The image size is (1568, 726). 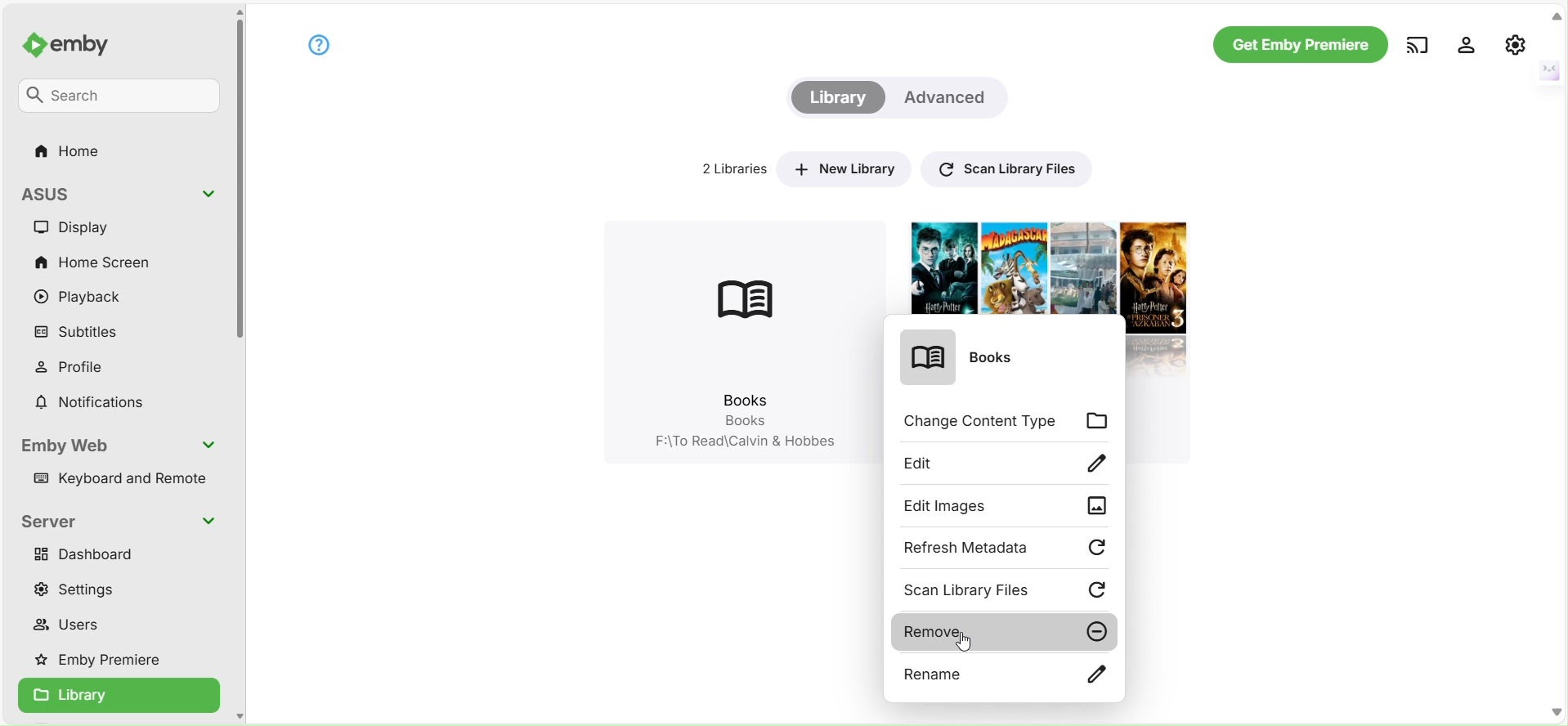 What do you see at coordinates (1417, 44) in the screenshot?
I see `Play on another device` at bounding box center [1417, 44].